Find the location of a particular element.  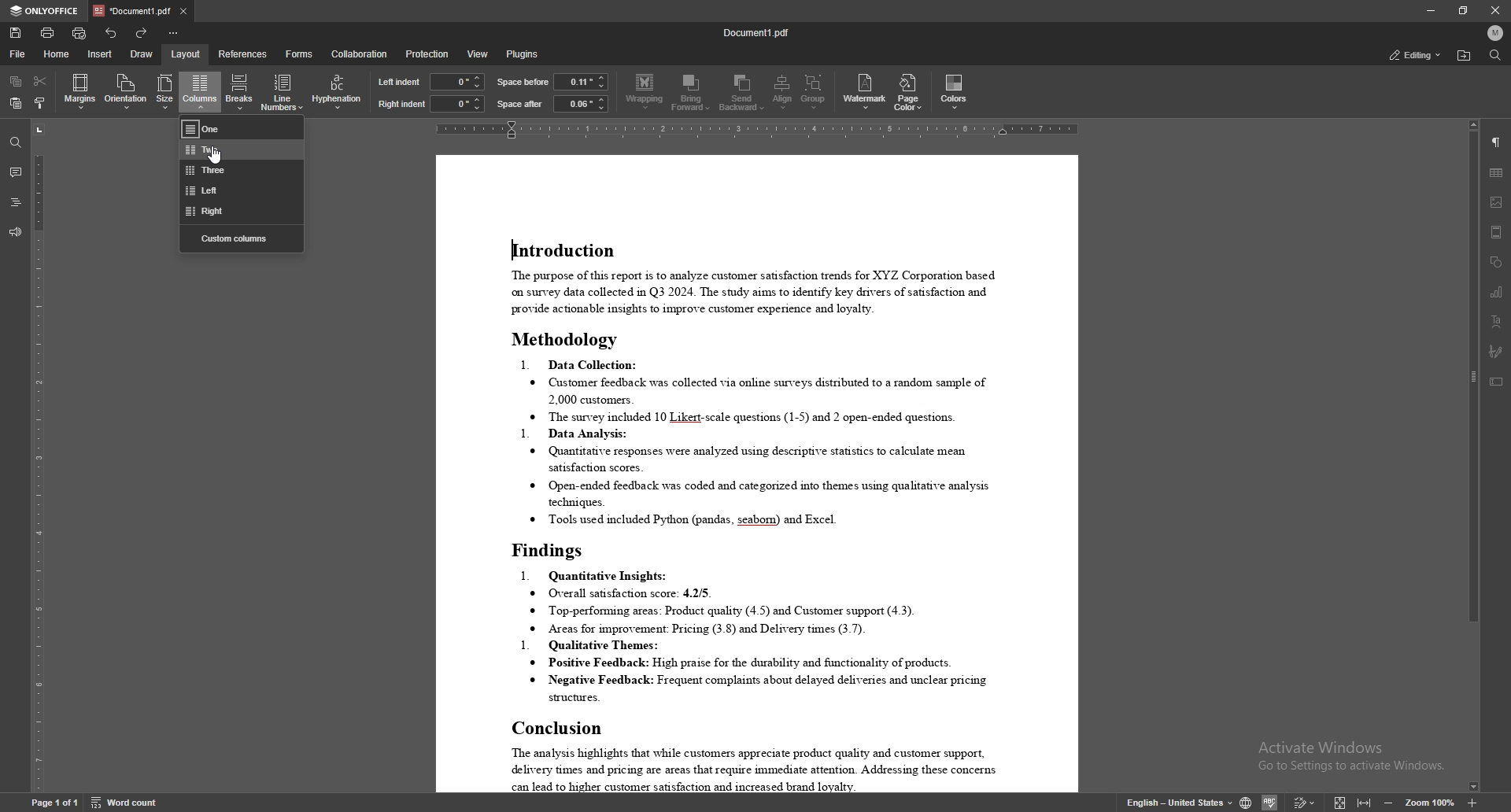

paragraph is located at coordinates (1497, 142).